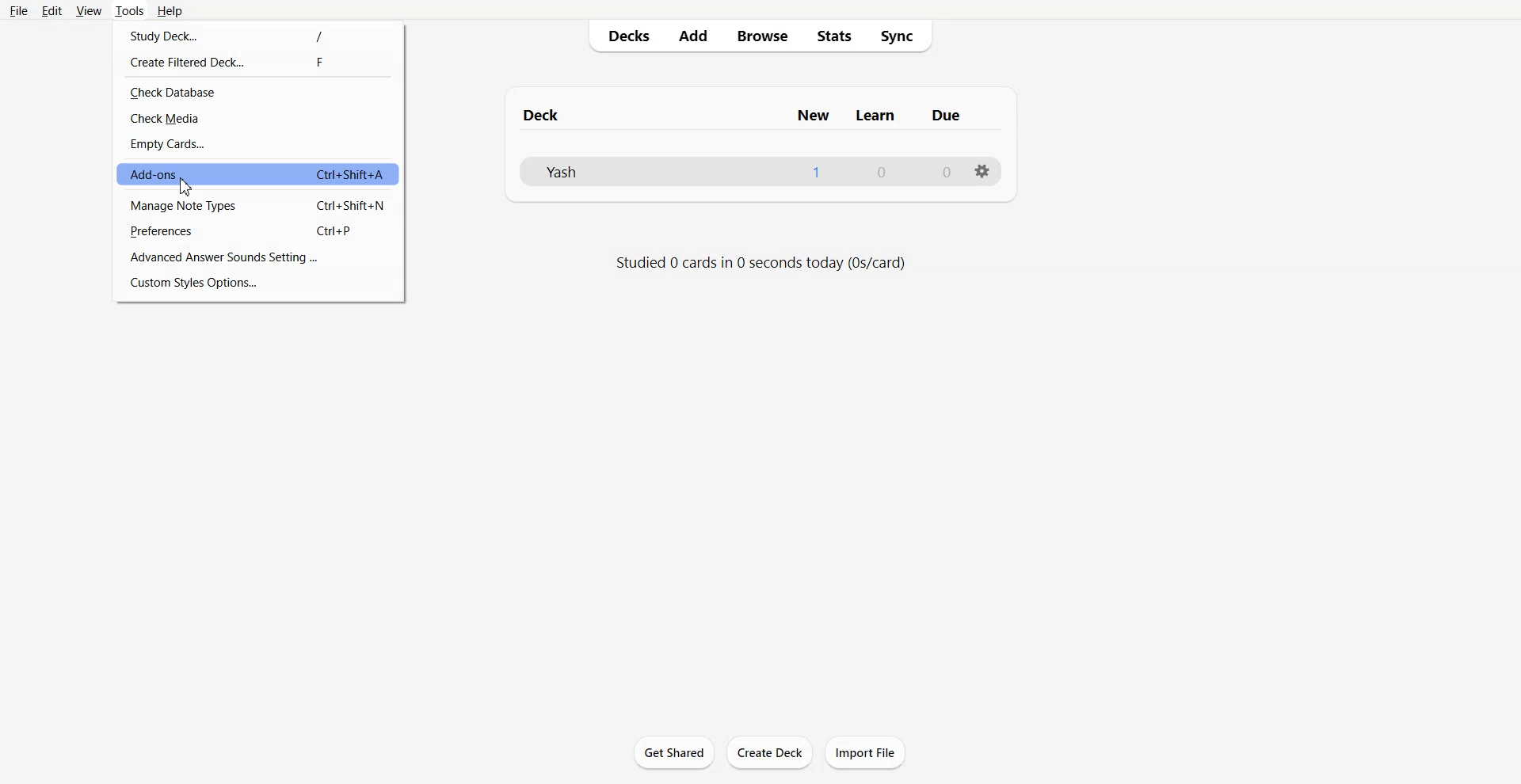 The height and width of the screenshot is (784, 1521). I want to click on 0, so click(949, 171).